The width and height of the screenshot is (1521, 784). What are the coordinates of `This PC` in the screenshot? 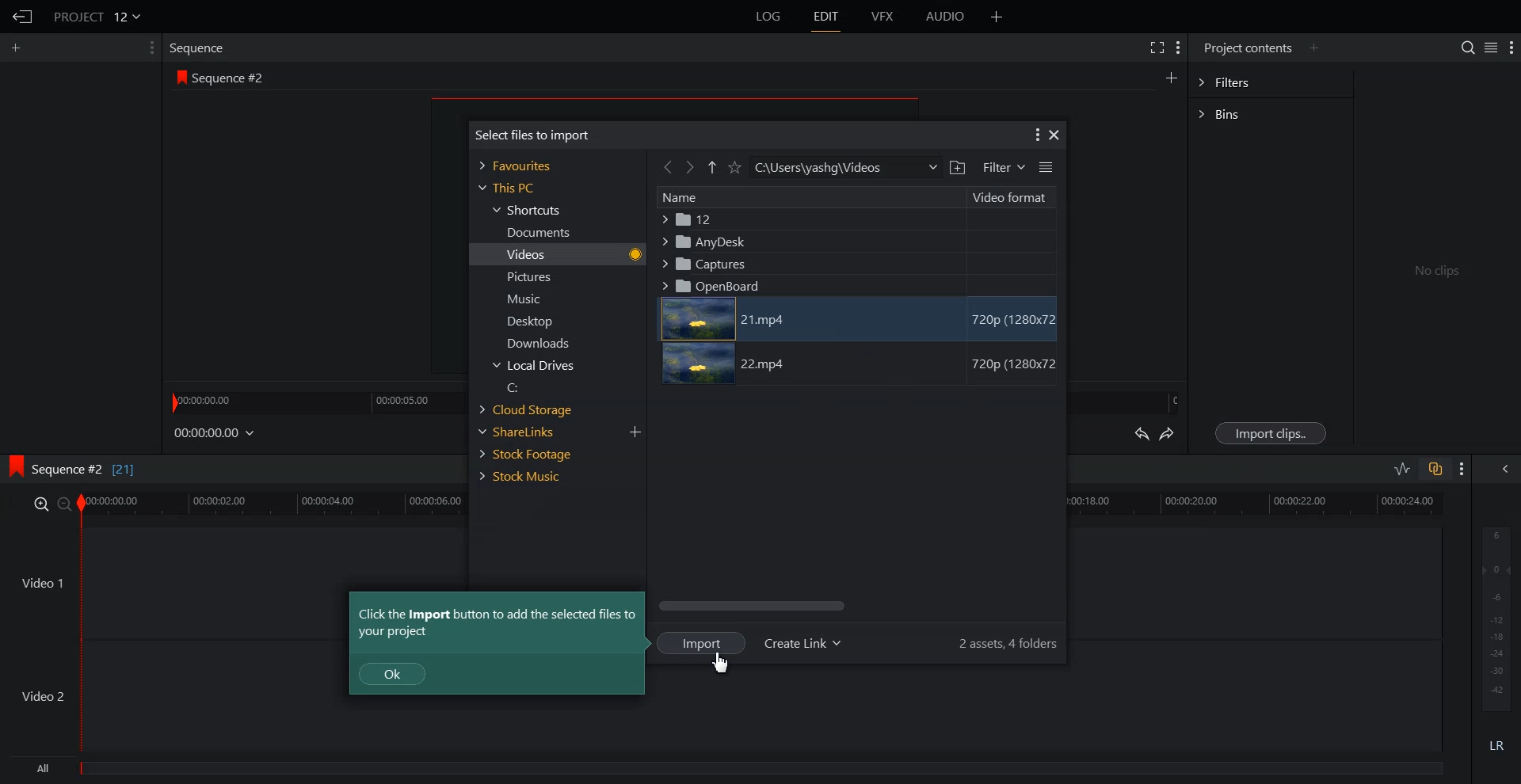 It's located at (505, 188).